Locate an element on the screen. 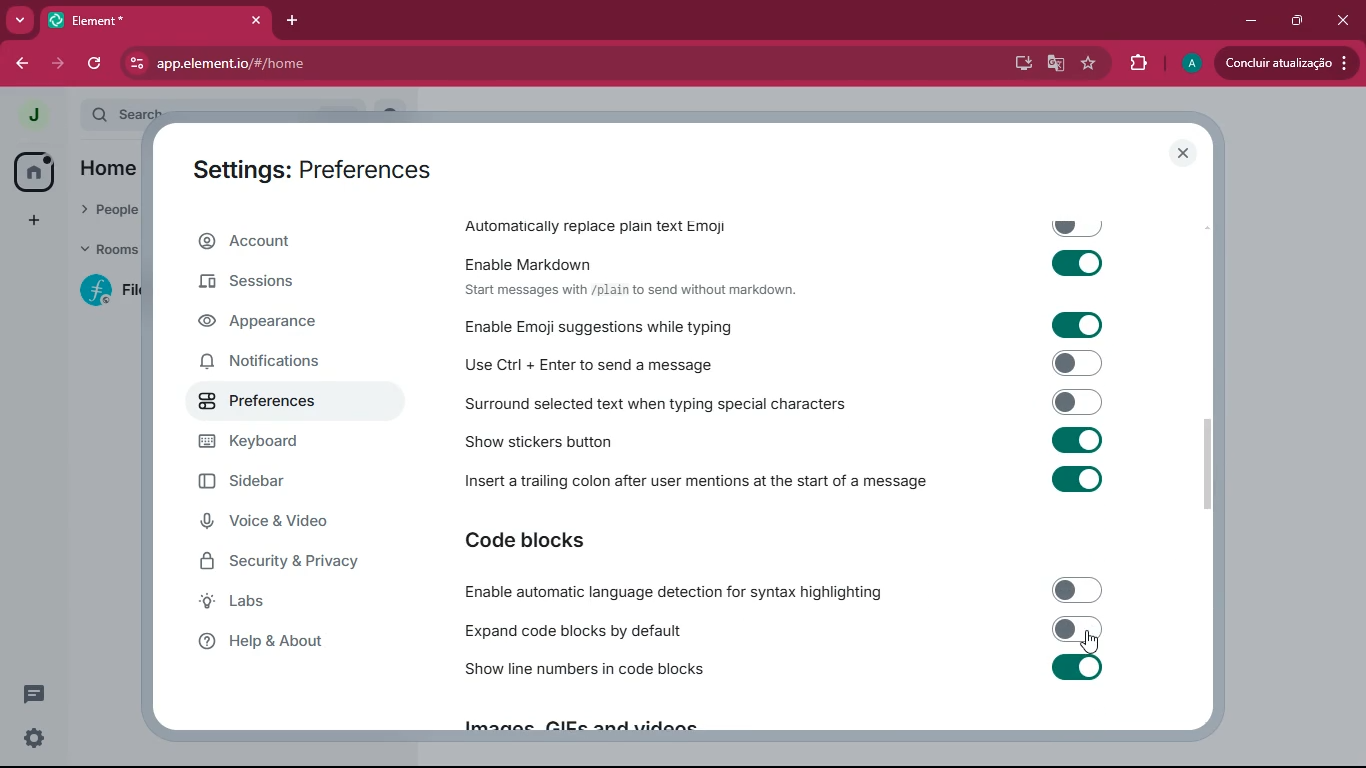 The height and width of the screenshot is (768, 1366). security & Privacy is located at coordinates (310, 563).